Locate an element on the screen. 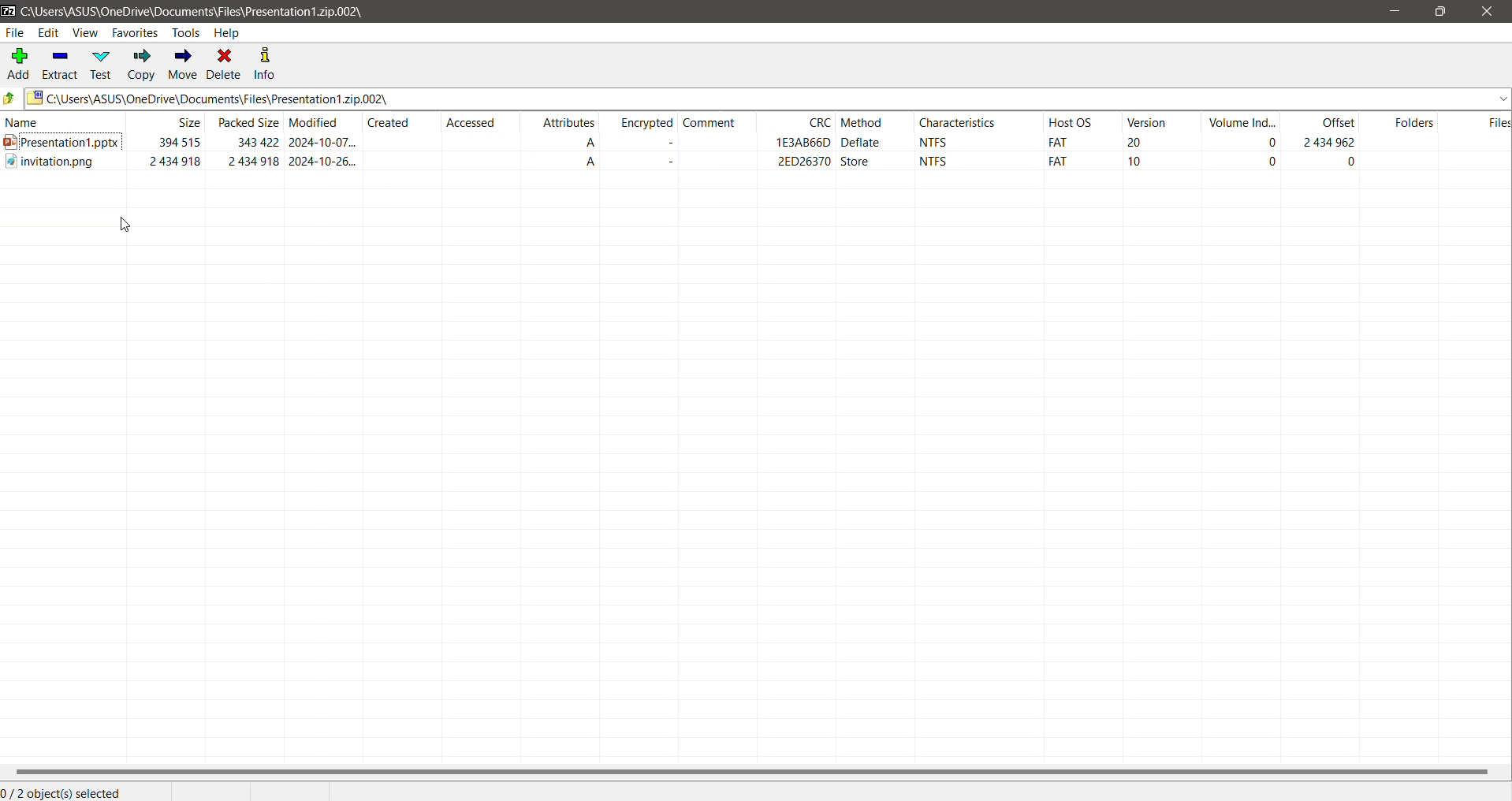 The height and width of the screenshot is (801, 1512). FAT is located at coordinates (1056, 162).